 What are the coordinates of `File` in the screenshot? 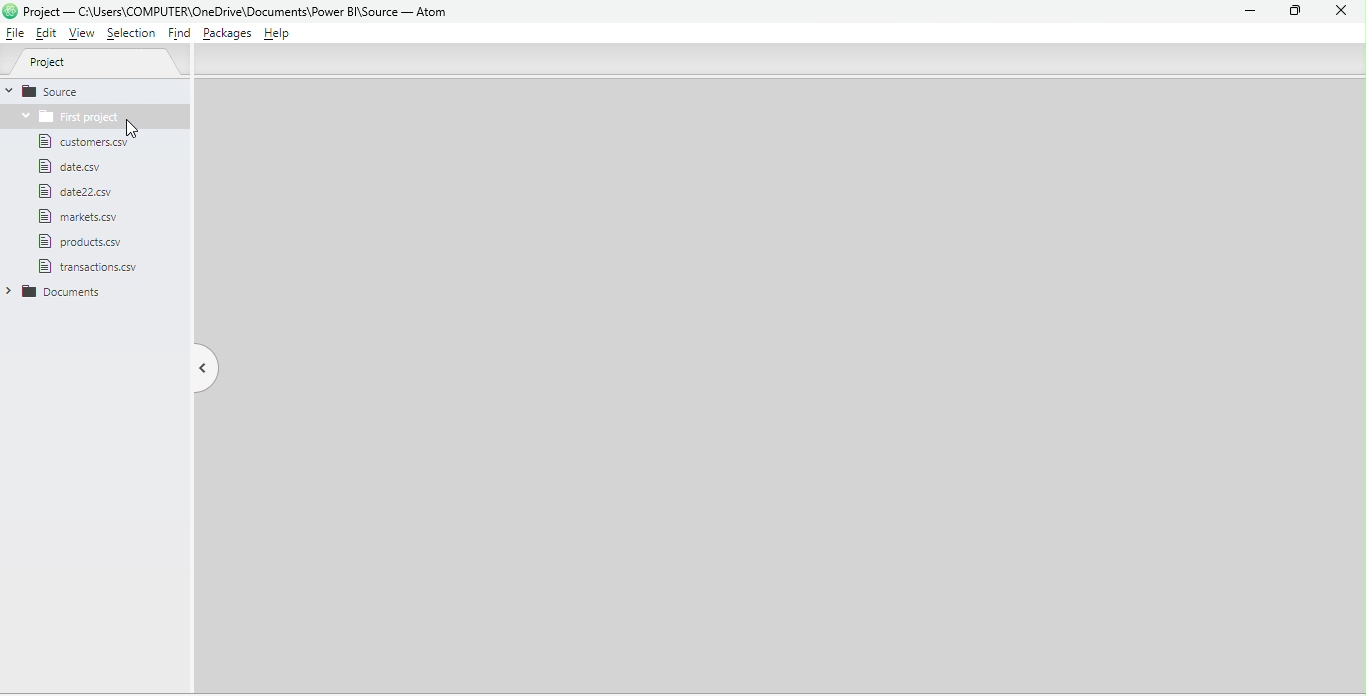 It's located at (76, 216).